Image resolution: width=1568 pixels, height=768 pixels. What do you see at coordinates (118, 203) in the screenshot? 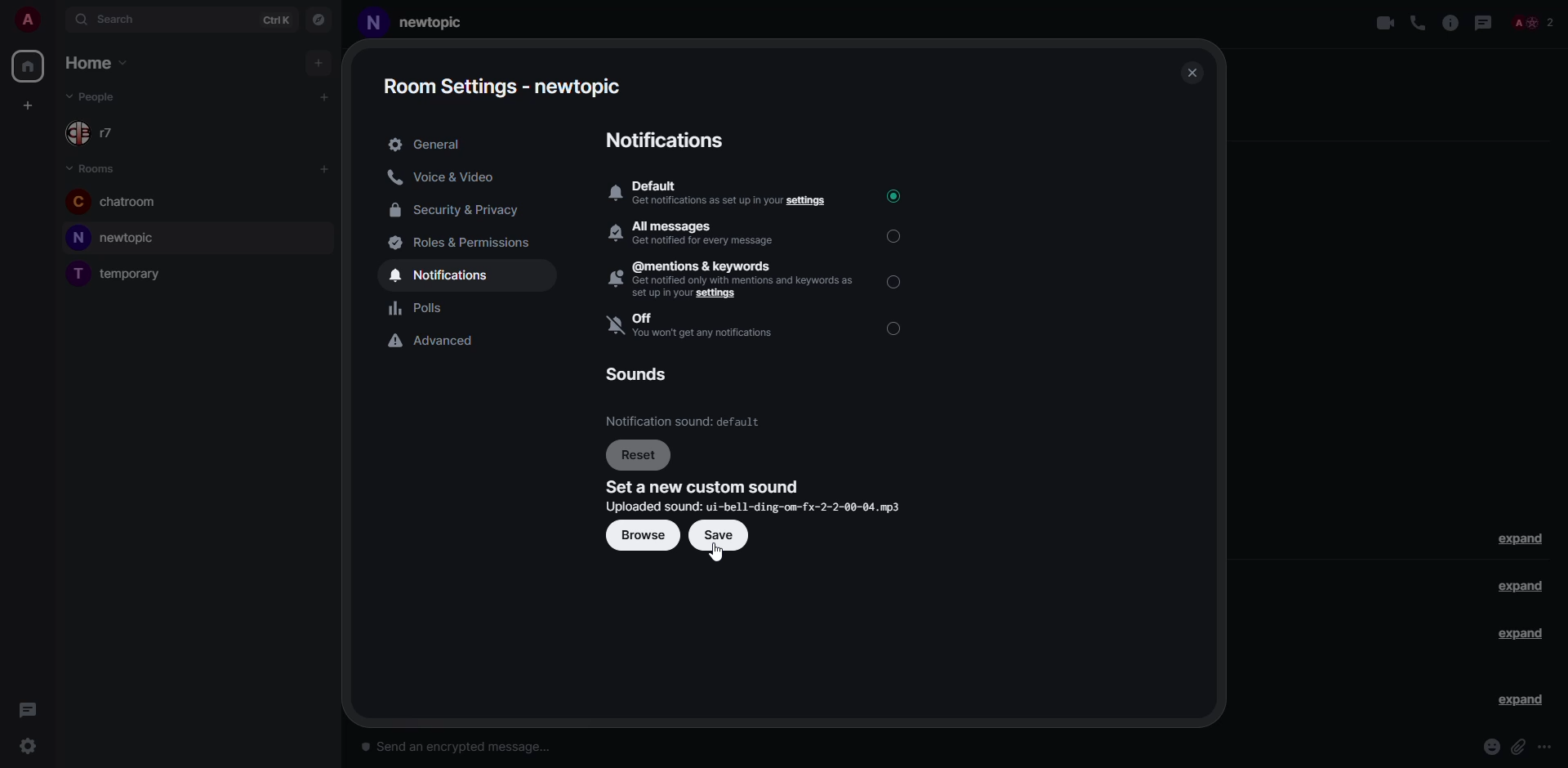
I see `room` at bounding box center [118, 203].